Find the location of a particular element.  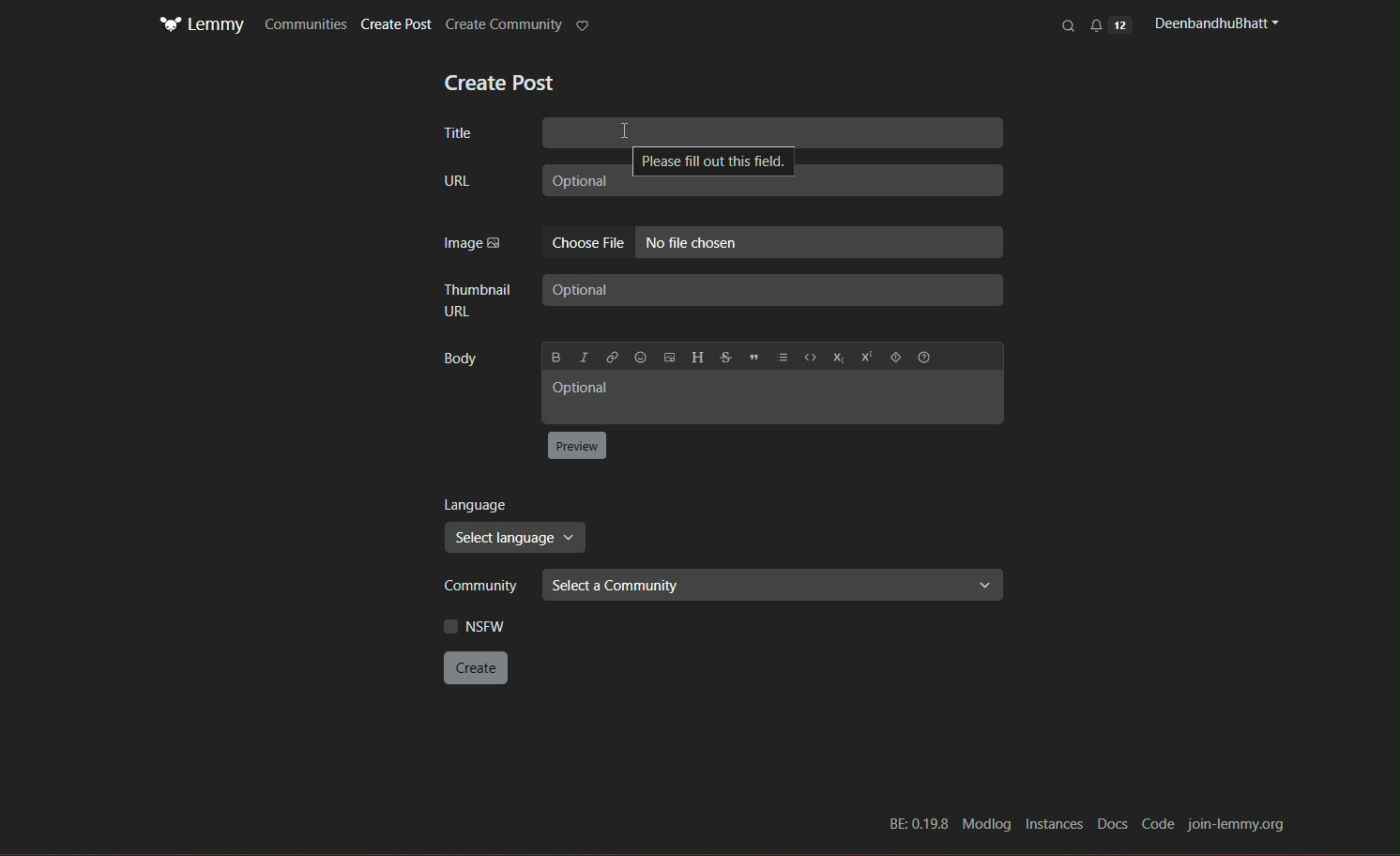

join-lemmy.org is located at coordinates (1237, 826).